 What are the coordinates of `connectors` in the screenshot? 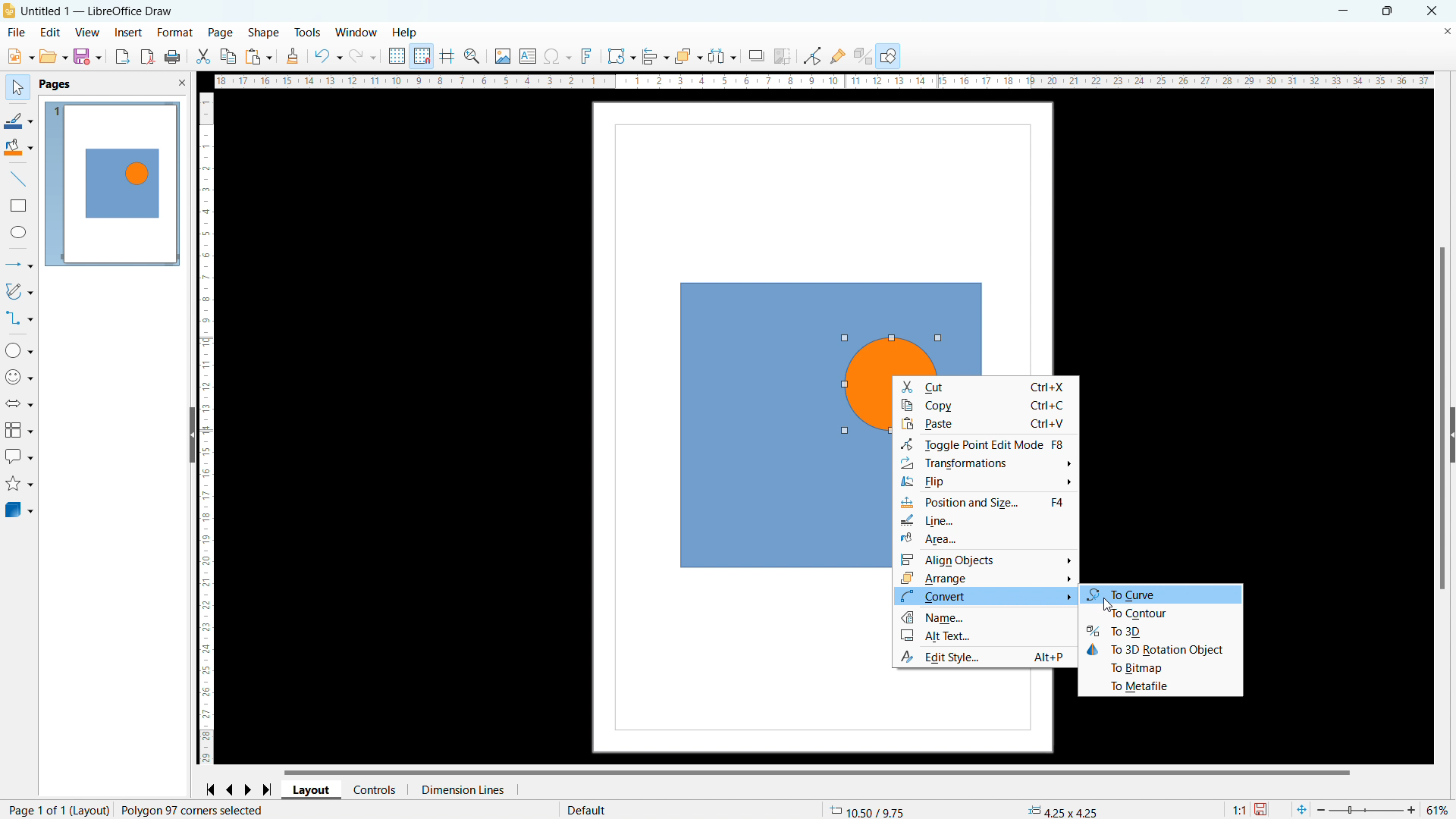 It's located at (19, 318).